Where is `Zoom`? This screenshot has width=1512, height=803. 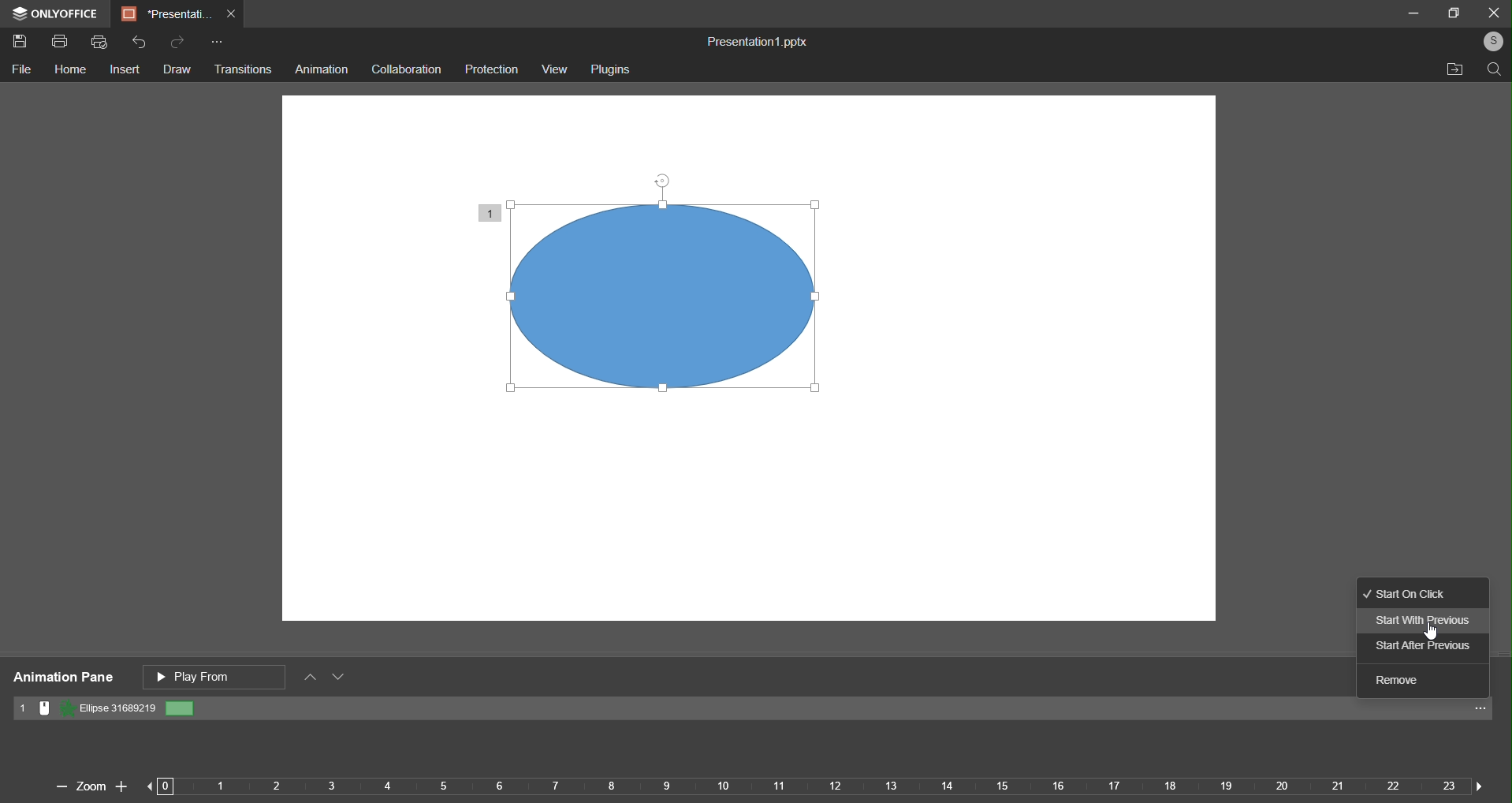
Zoom is located at coordinates (89, 786).